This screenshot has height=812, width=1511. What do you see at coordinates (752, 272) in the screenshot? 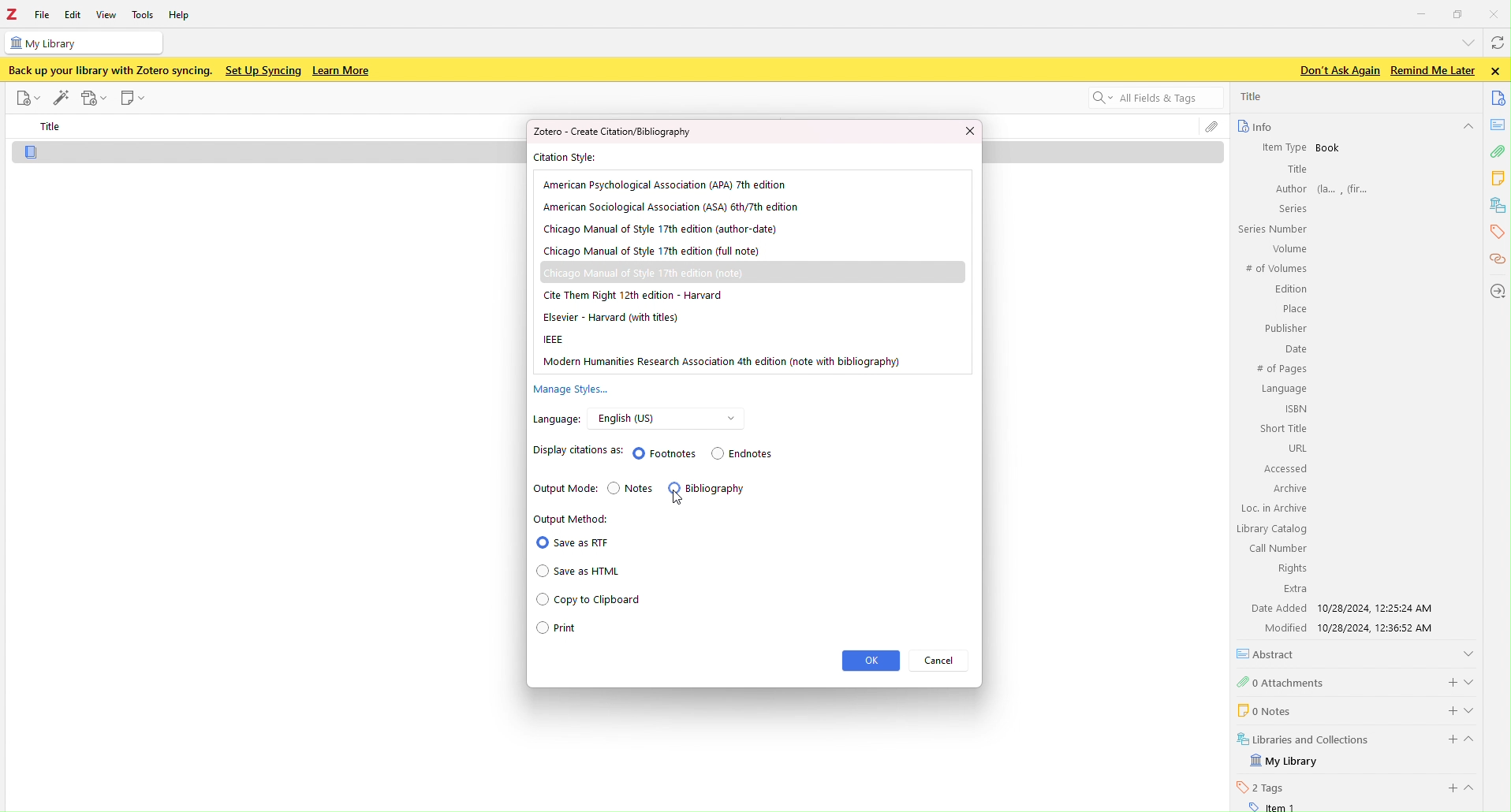
I see `citation style options` at bounding box center [752, 272].